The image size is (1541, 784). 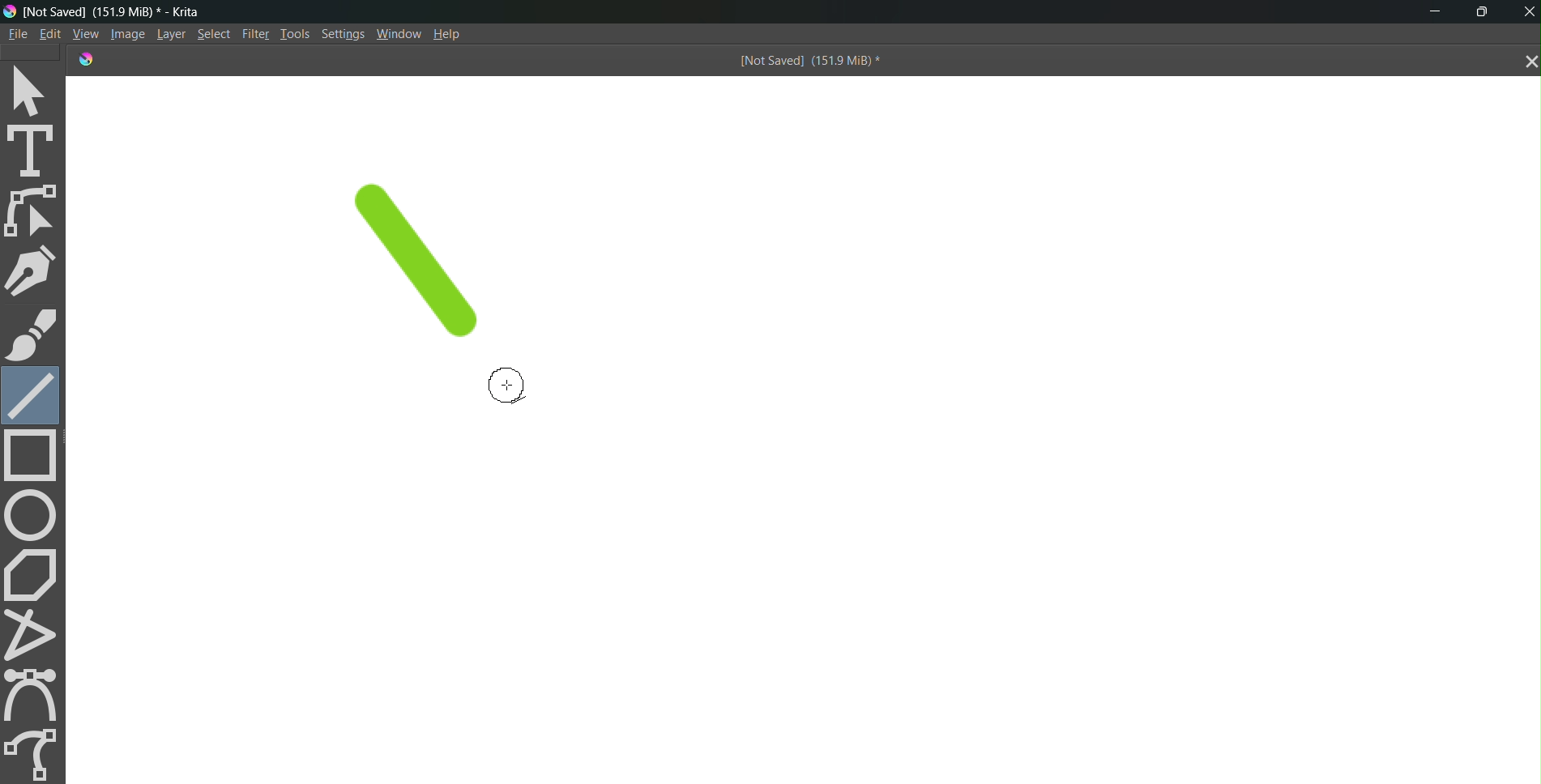 I want to click on View, so click(x=83, y=33).